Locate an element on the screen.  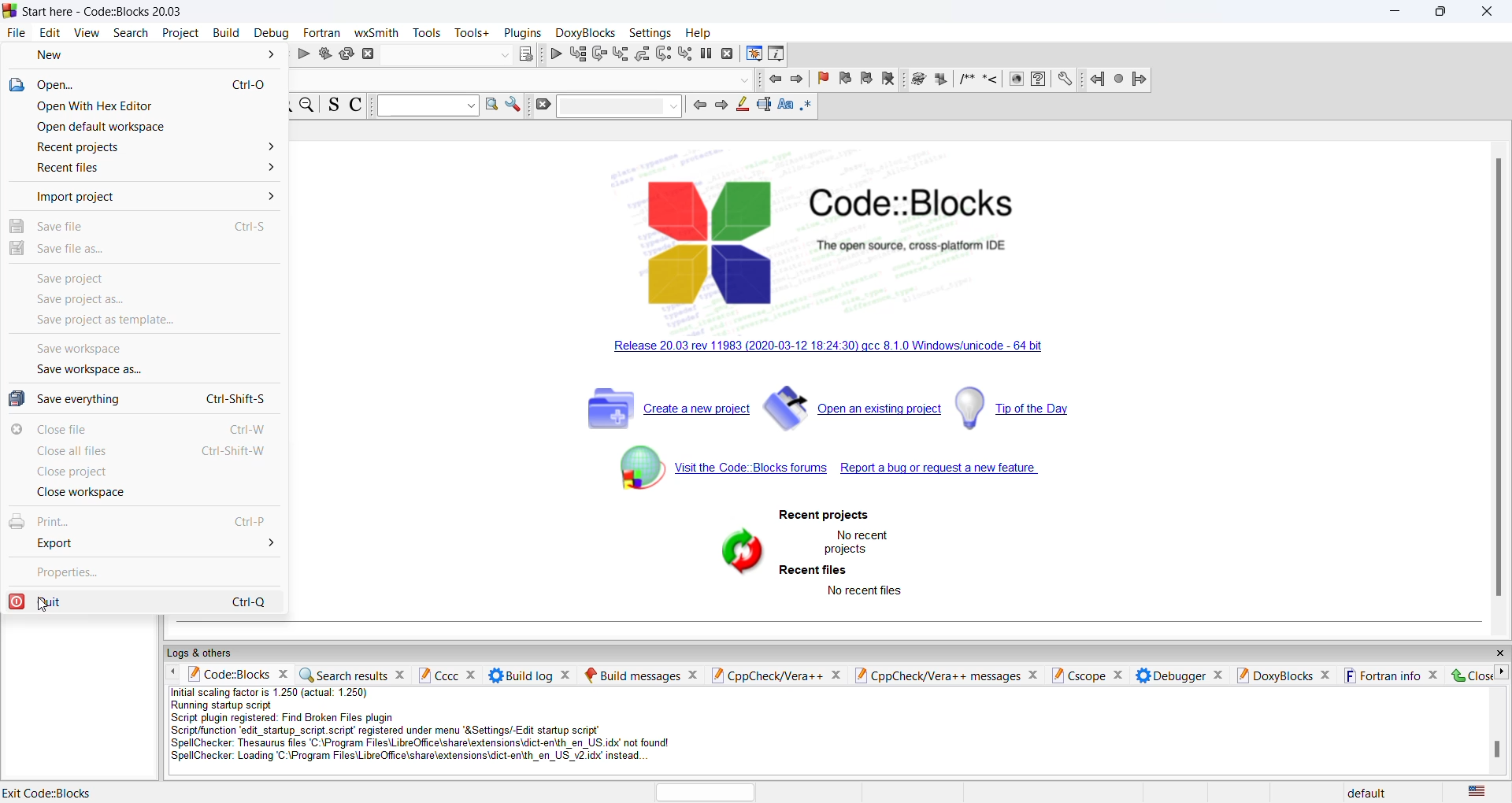
Close project is located at coordinates (78, 472).